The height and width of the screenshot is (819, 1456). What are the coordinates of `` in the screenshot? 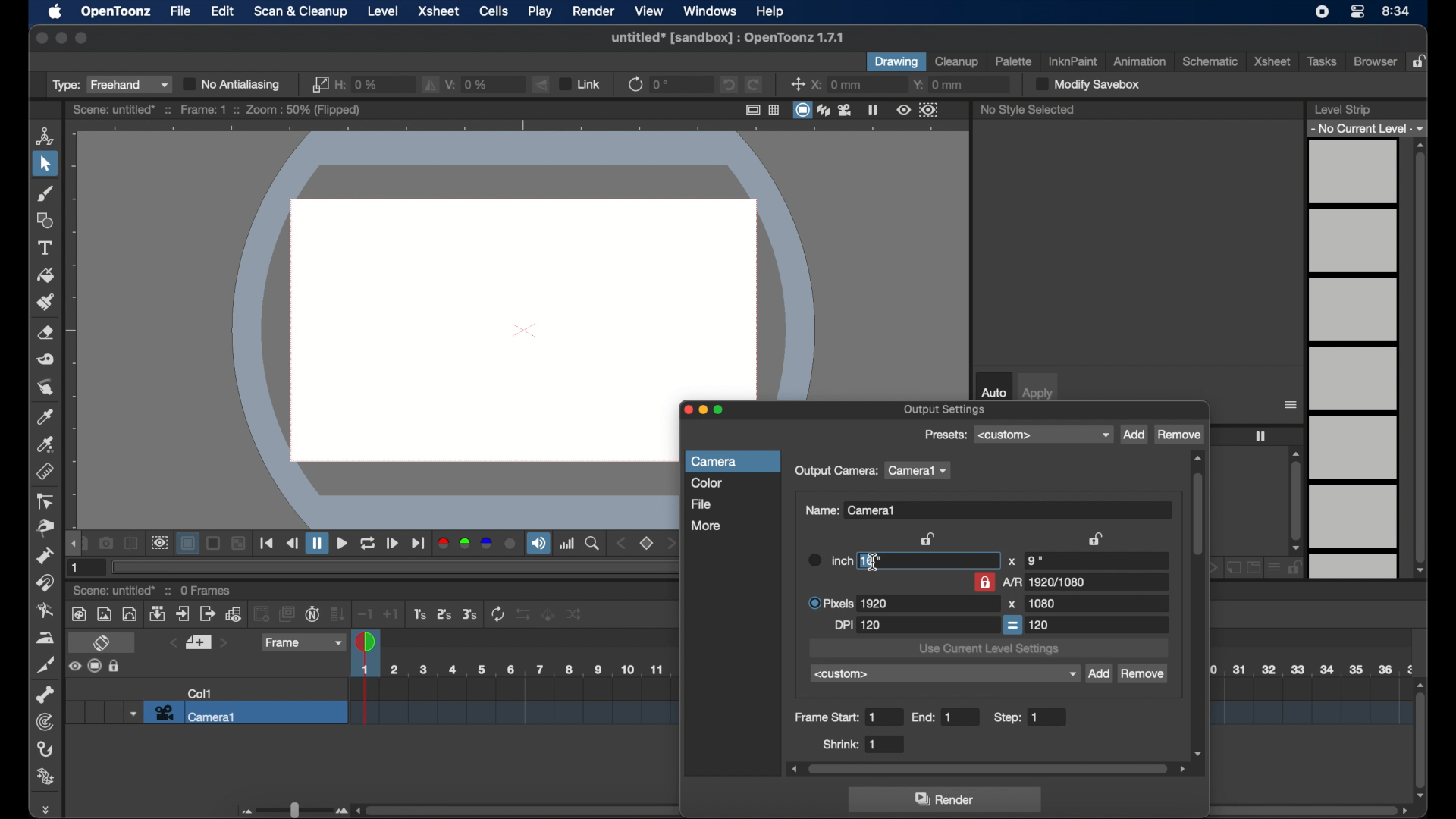 It's located at (116, 667).